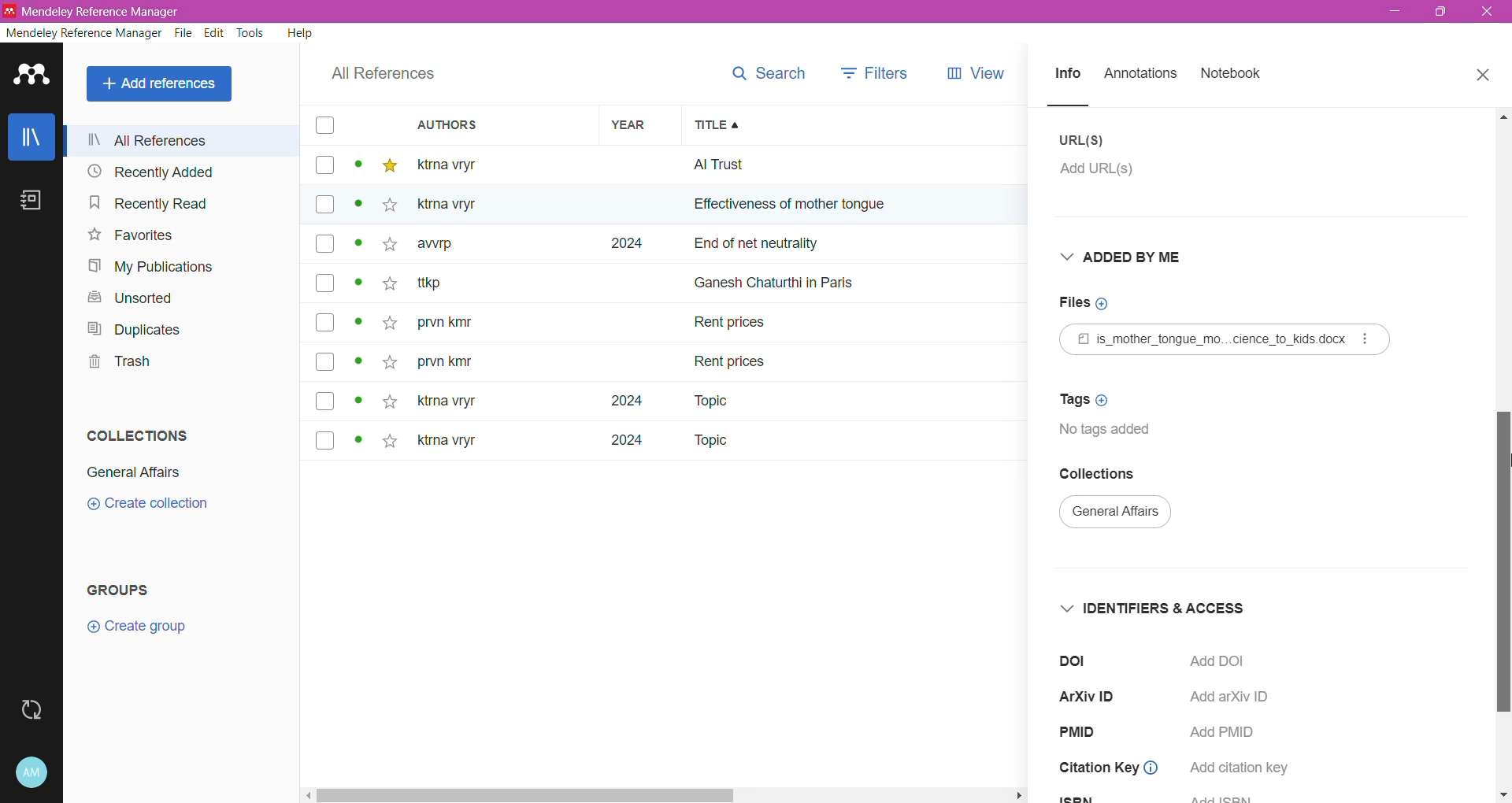 This screenshot has width=1512, height=803. Describe the element at coordinates (388, 358) in the screenshot. I see `star` at that location.